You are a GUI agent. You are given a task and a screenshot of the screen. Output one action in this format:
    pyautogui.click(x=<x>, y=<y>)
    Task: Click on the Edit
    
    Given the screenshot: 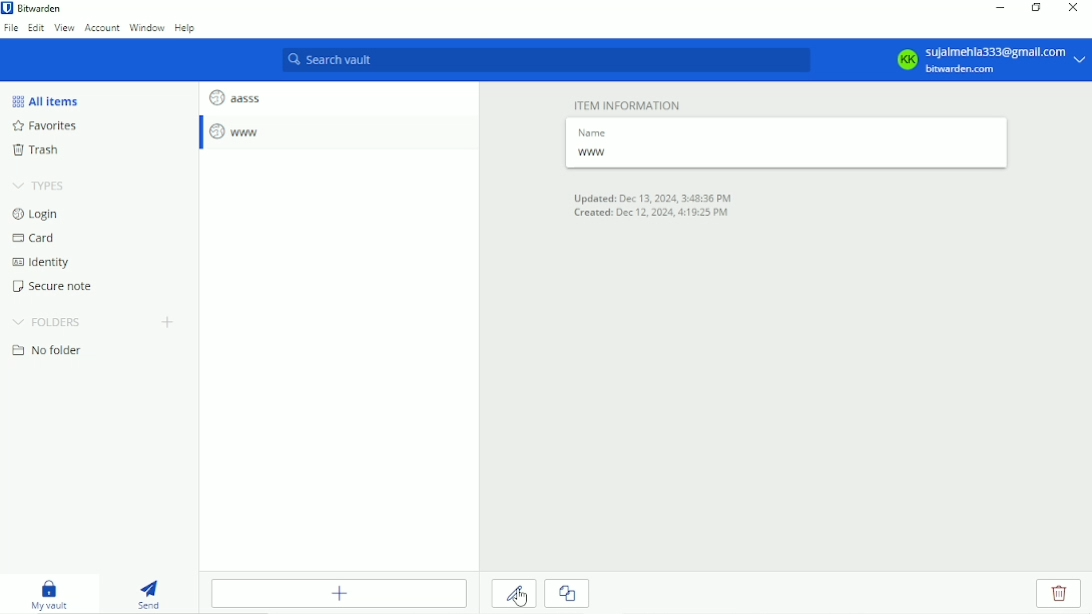 What is the action you would take?
    pyautogui.click(x=514, y=595)
    